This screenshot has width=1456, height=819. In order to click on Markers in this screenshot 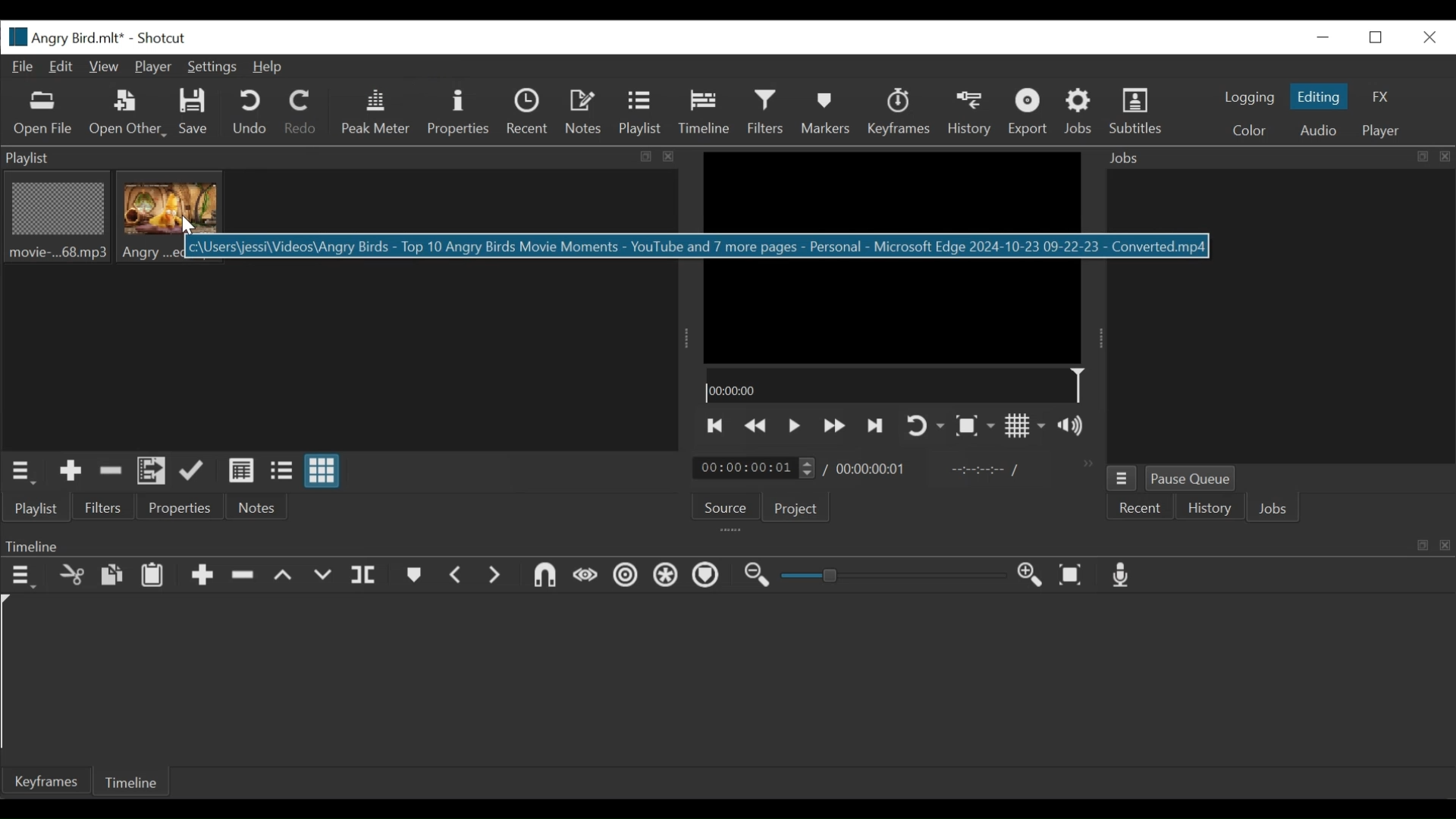, I will do `click(415, 576)`.